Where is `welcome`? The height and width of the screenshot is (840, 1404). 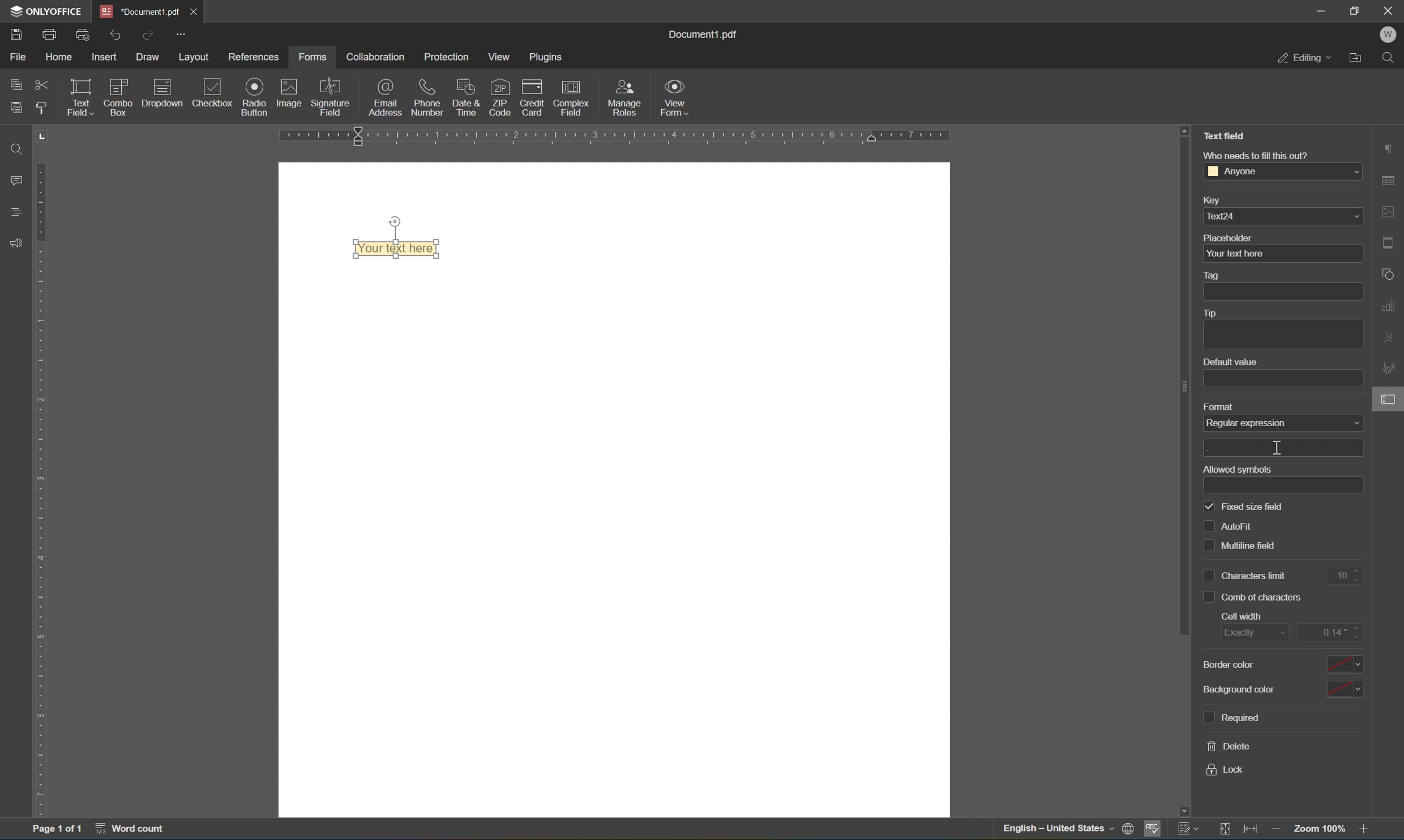 welcome is located at coordinates (1388, 35).